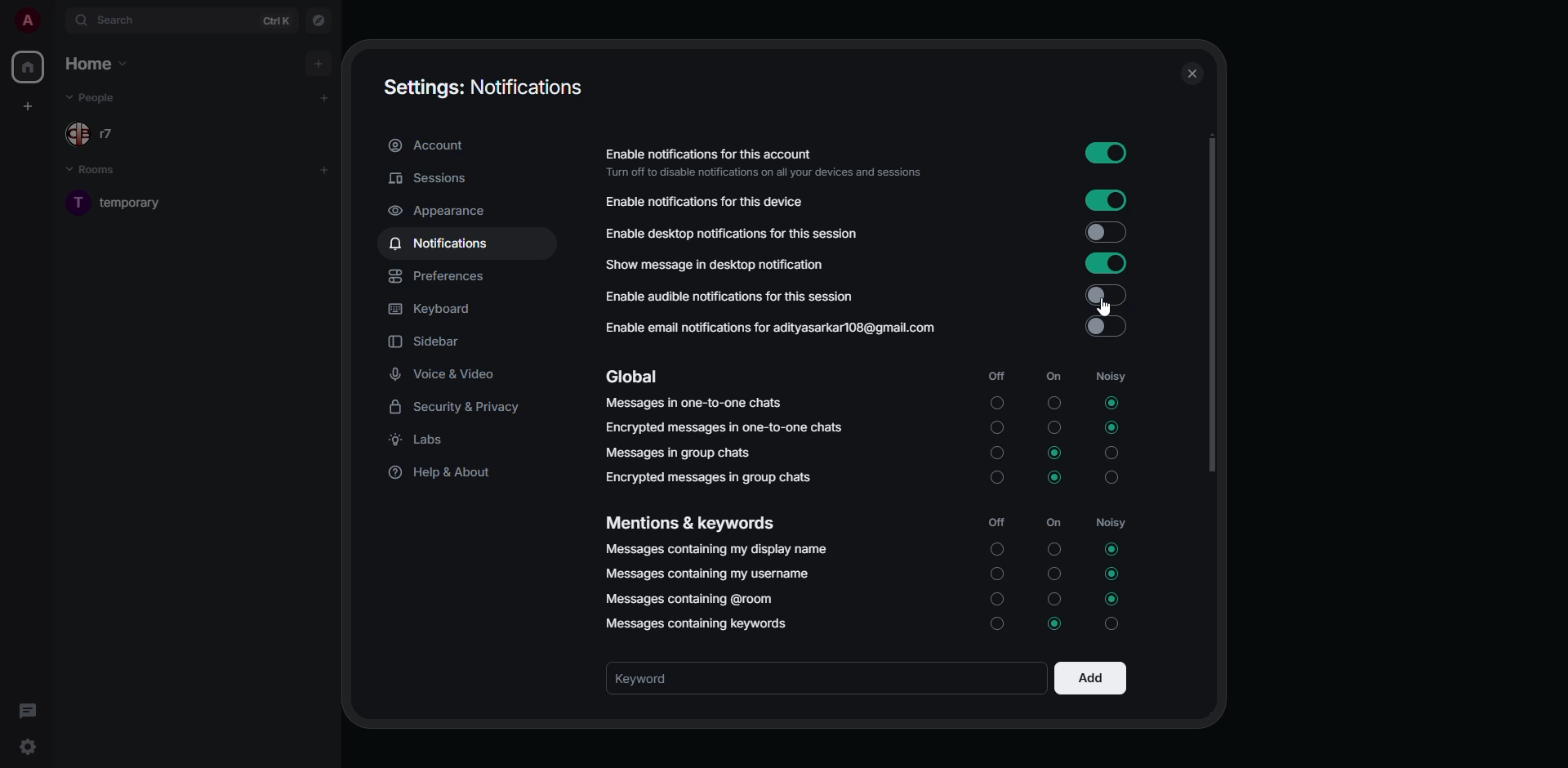 The height and width of the screenshot is (768, 1568). I want to click on Off Unselected, so click(998, 427).